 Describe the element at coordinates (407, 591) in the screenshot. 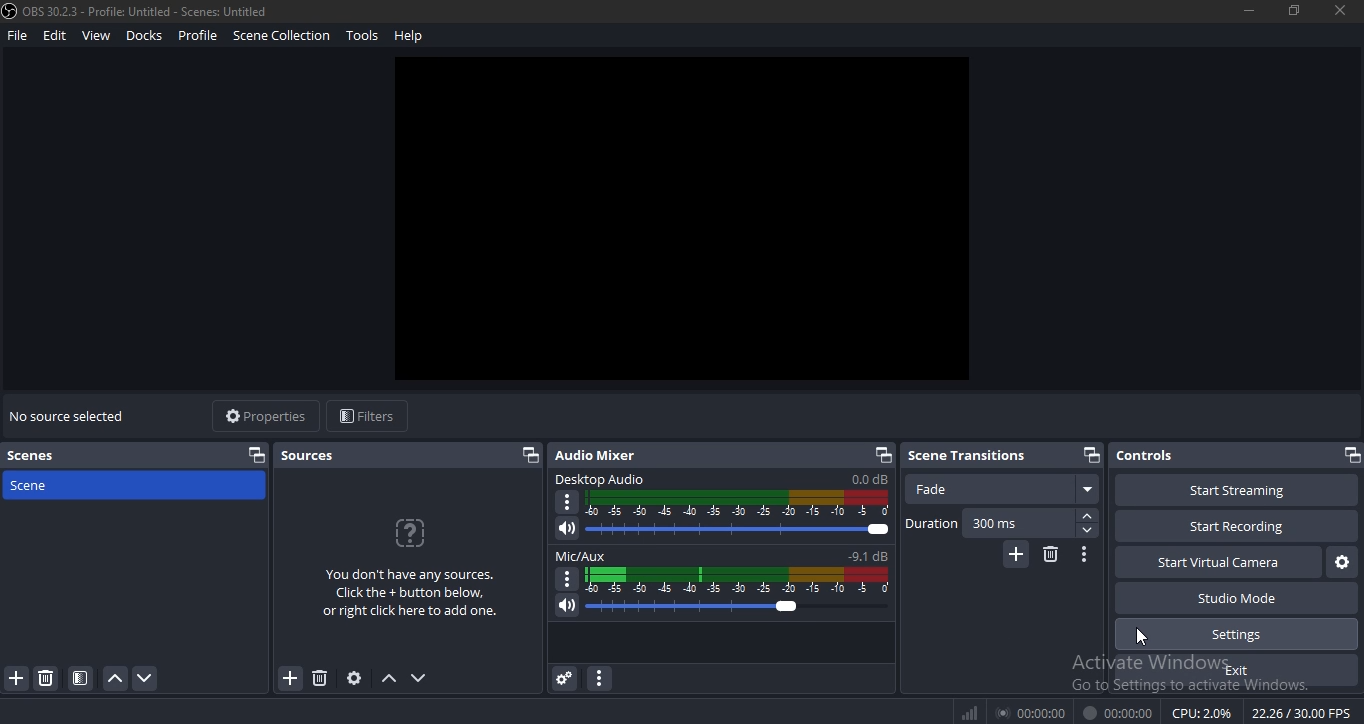

I see `You don't have any sources.
Click the + button below,
or right click here to add one.` at that location.